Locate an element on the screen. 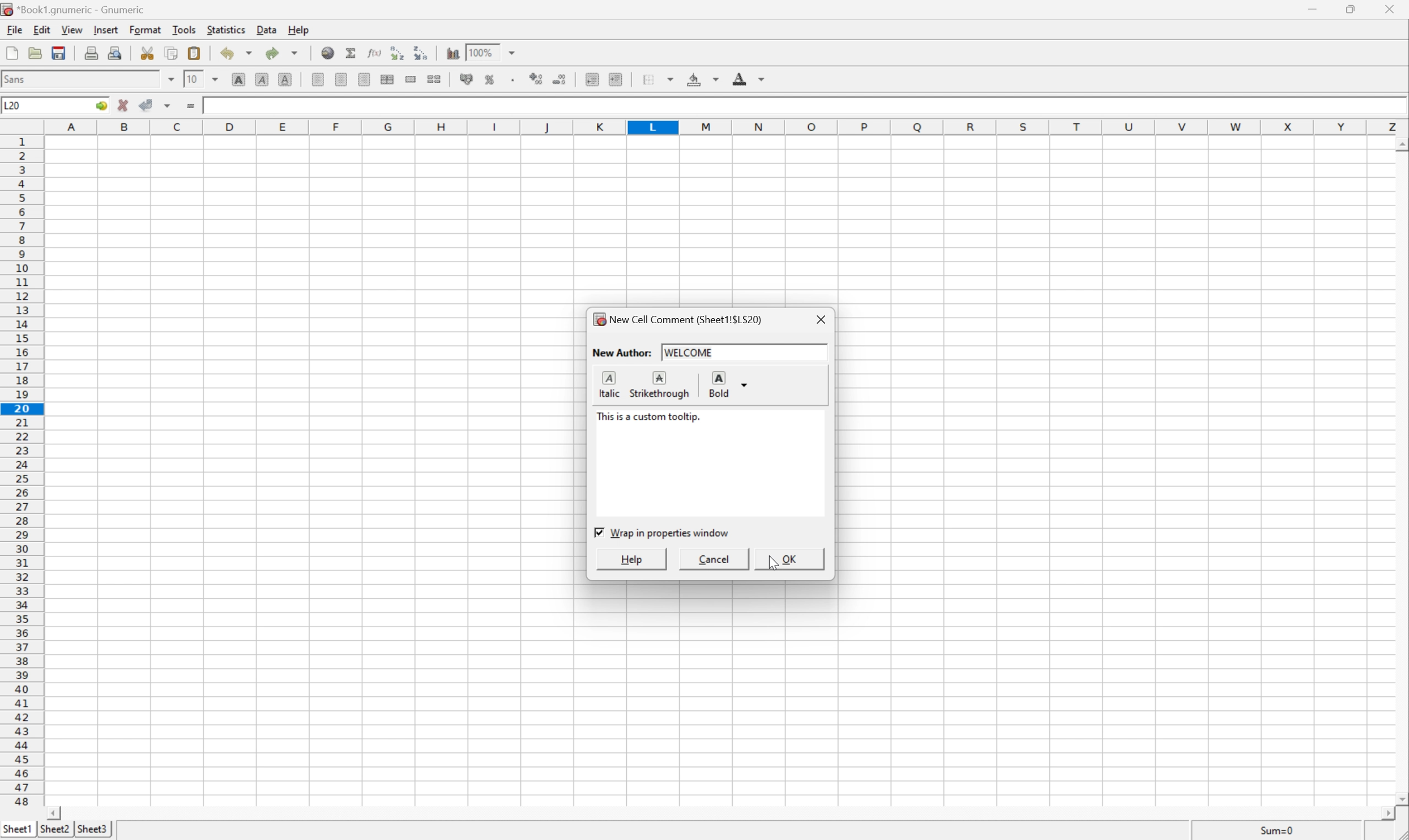  Close is located at coordinates (821, 319).